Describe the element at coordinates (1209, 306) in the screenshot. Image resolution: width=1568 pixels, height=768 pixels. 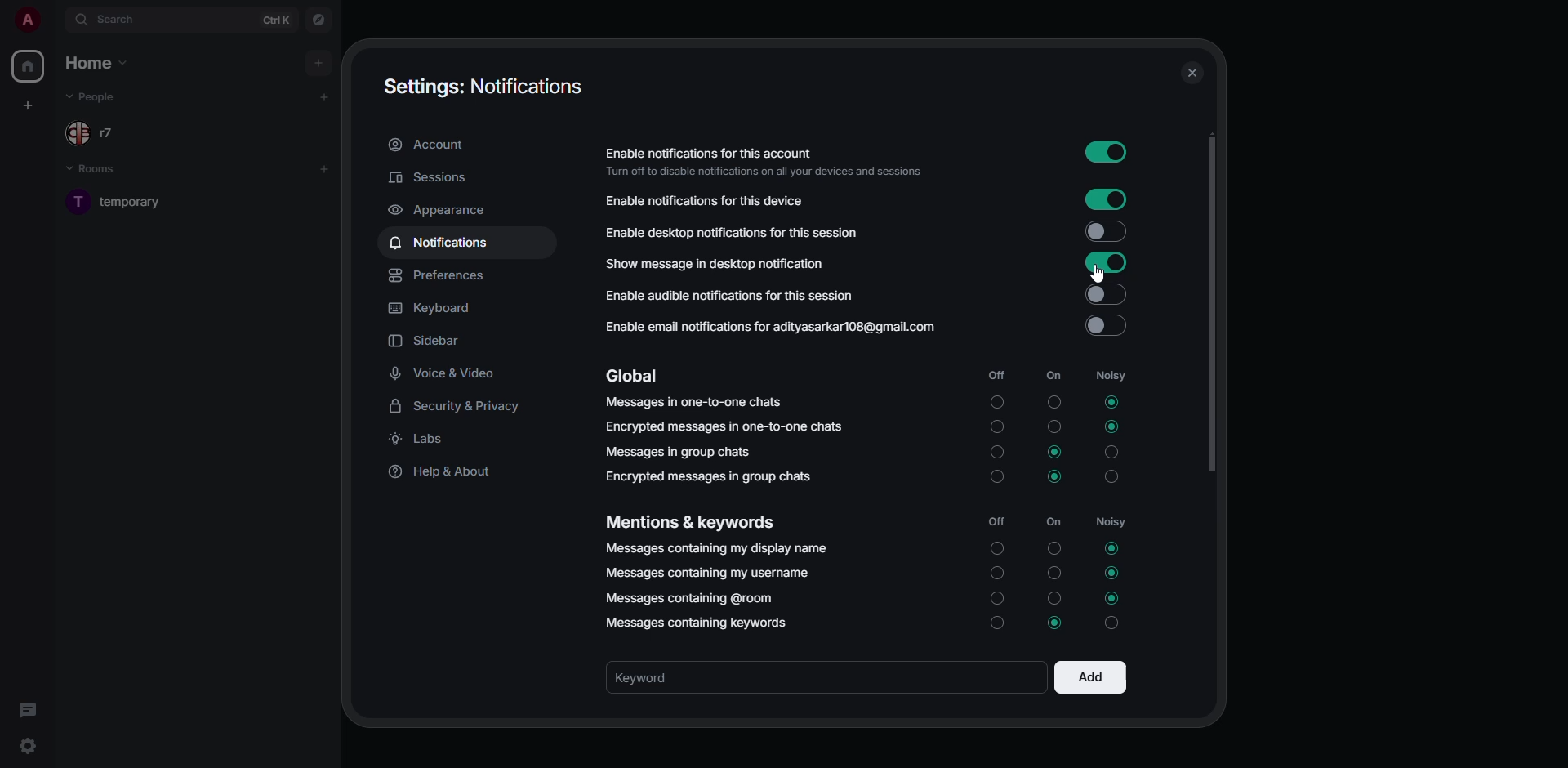
I see `scroll bar` at that location.